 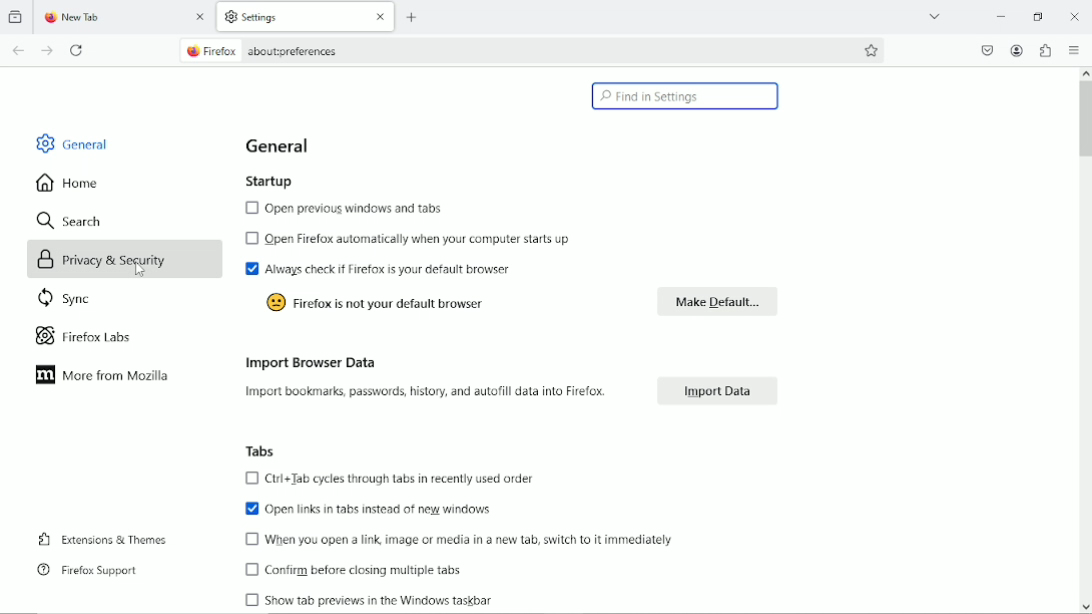 I want to click on always check if firefox is your default browser, so click(x=403, y=271).